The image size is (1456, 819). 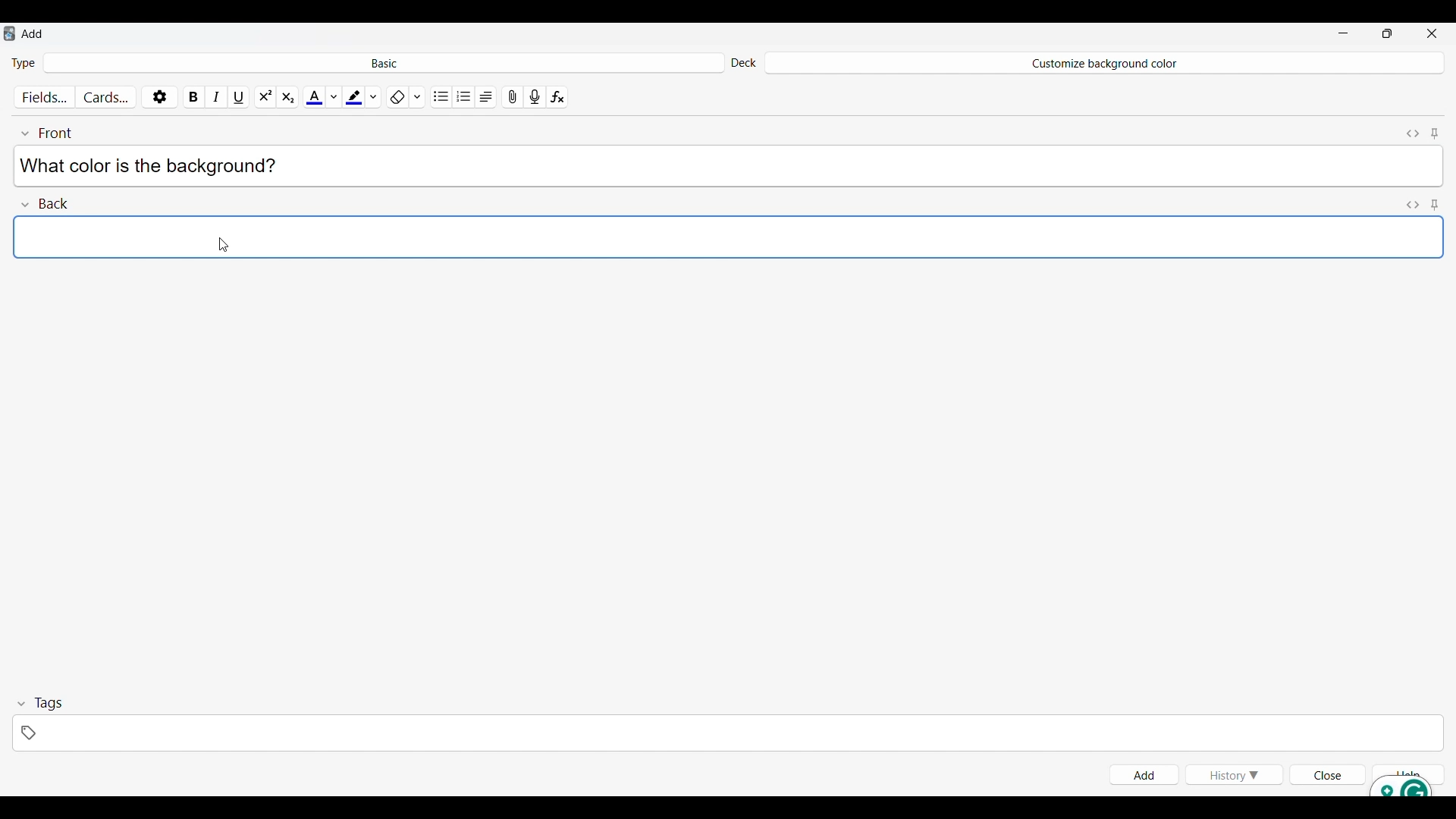 What do you see at coordinates (374, 94) in the screenshot?
I see `Highlight color options` at bounding box center [374, 94].